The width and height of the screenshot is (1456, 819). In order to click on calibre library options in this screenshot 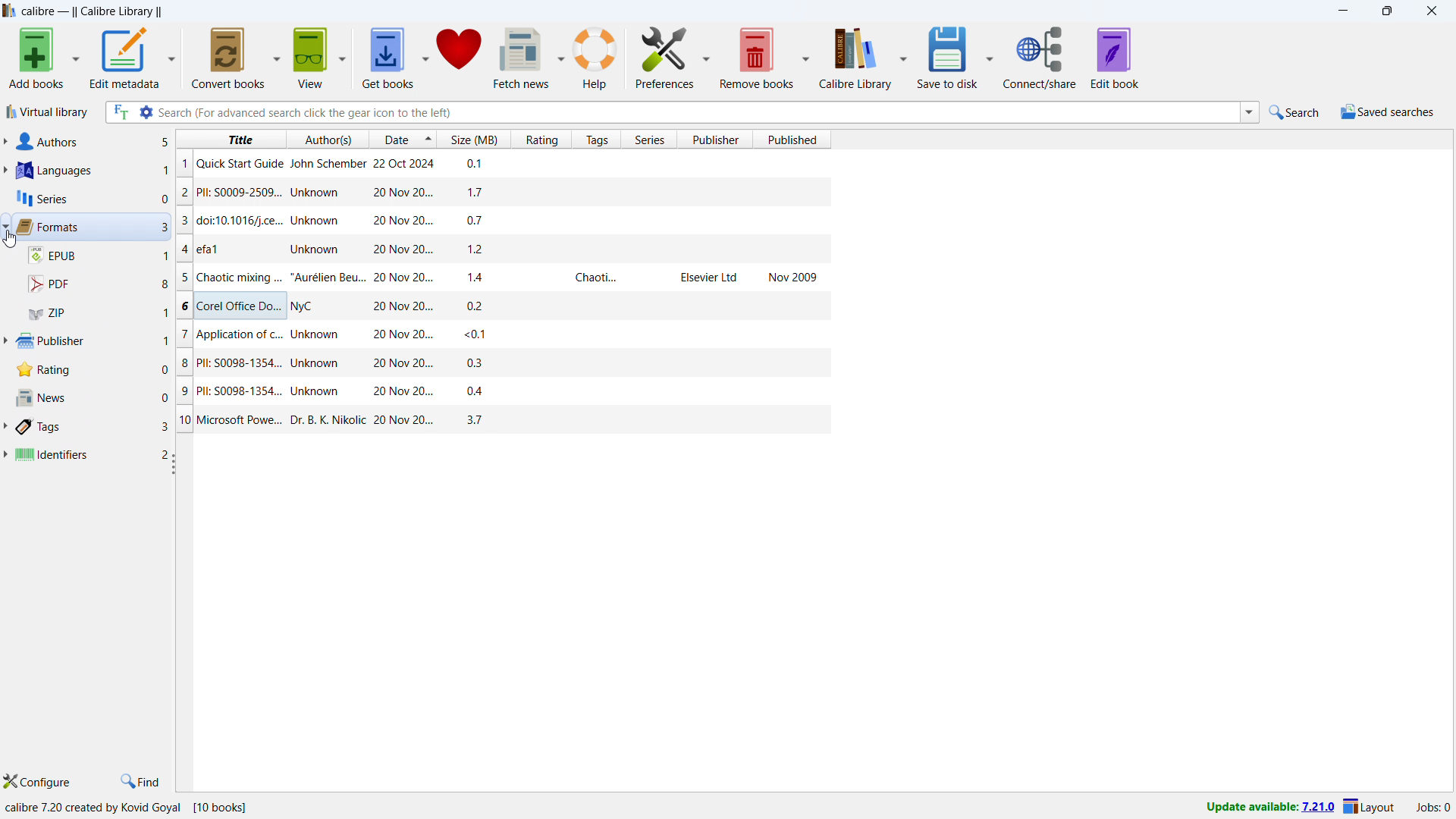, I will do `click(902, 57)`.